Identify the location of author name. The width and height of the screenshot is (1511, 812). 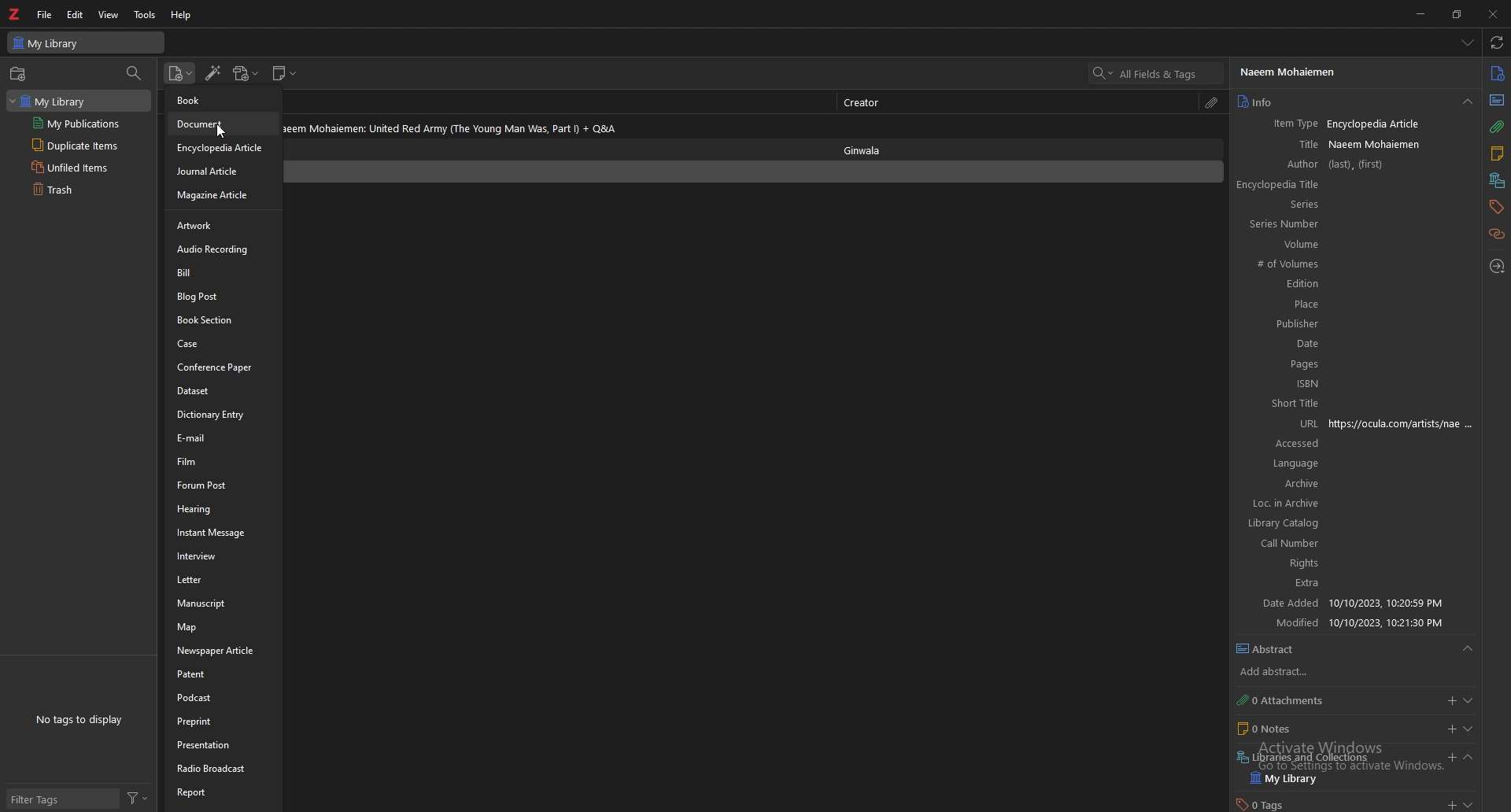
(1351, 72).